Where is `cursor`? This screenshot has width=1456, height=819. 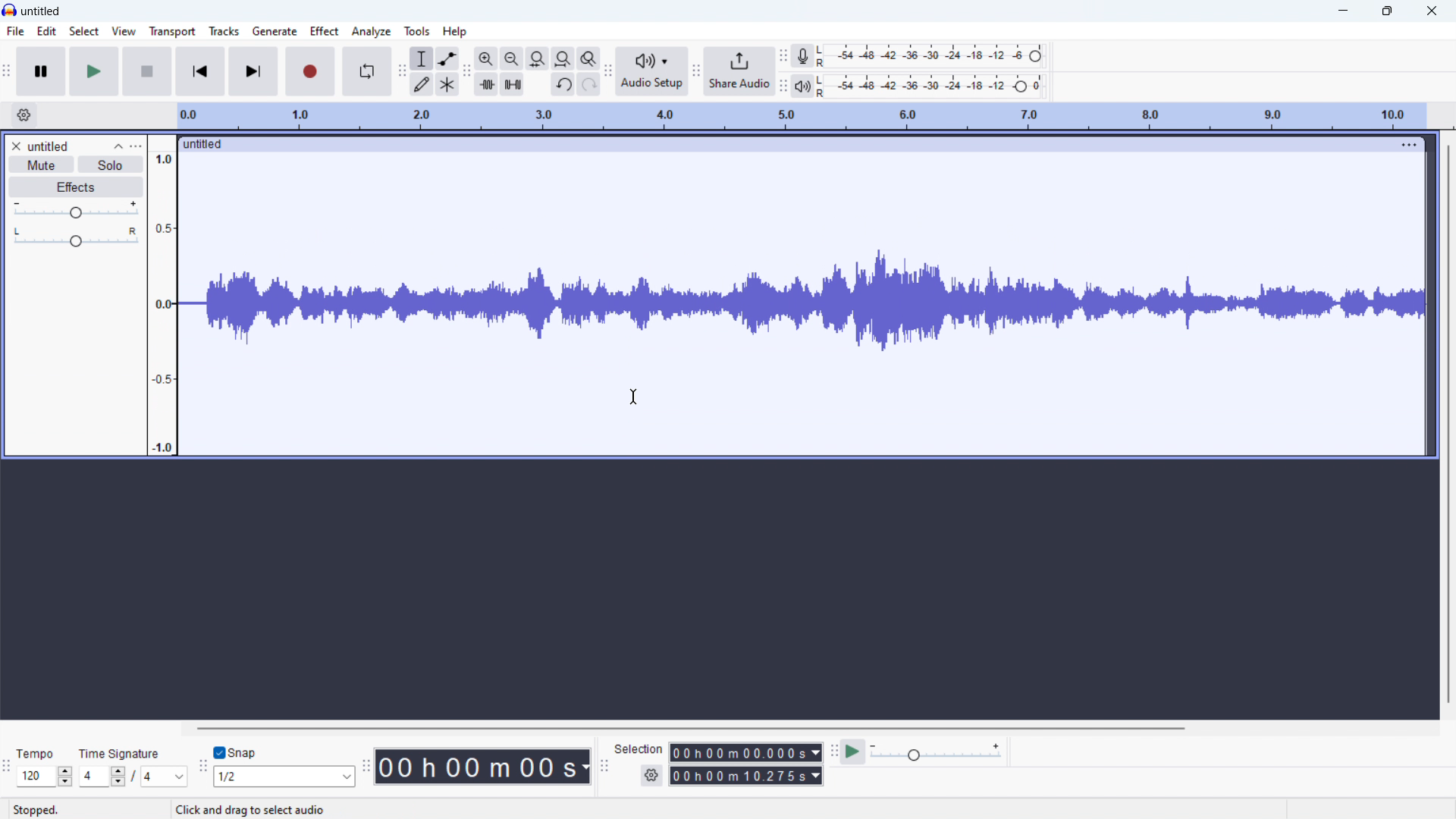
cursor is located at coordinates (637, 396).